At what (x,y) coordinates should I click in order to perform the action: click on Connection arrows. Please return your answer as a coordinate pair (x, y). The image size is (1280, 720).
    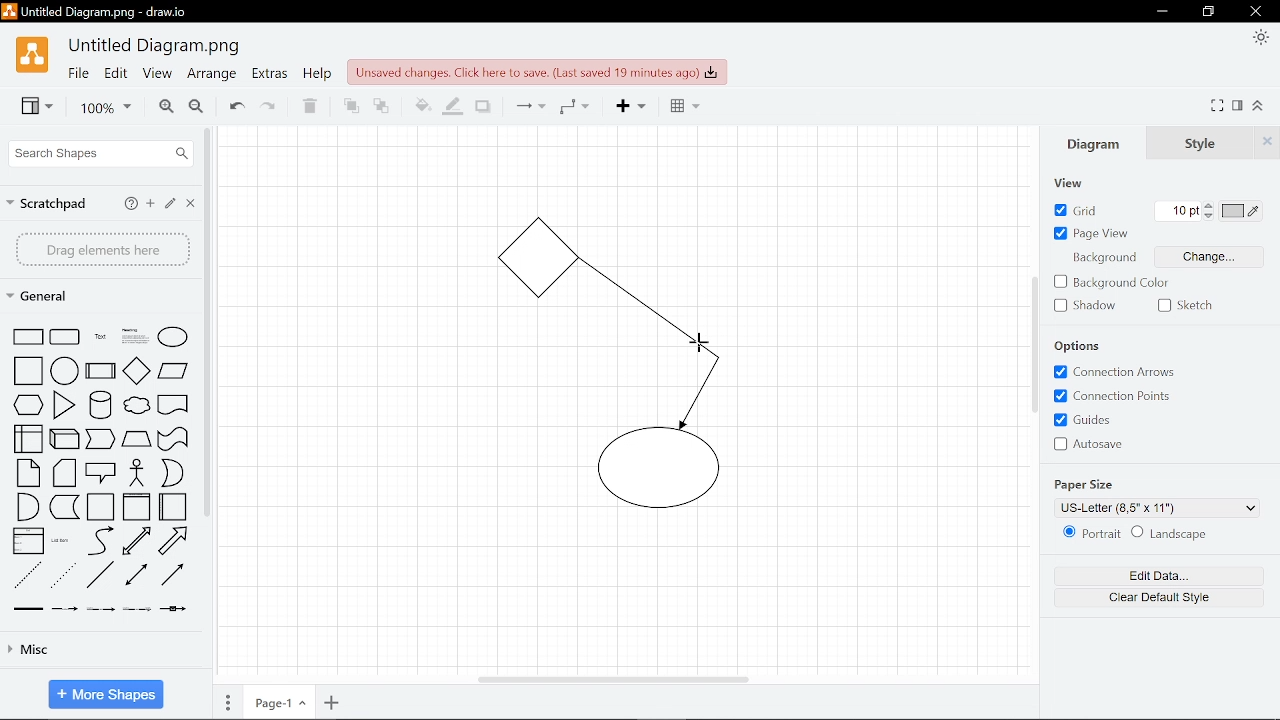
    Looking at the image, I should click on (1122, 372).